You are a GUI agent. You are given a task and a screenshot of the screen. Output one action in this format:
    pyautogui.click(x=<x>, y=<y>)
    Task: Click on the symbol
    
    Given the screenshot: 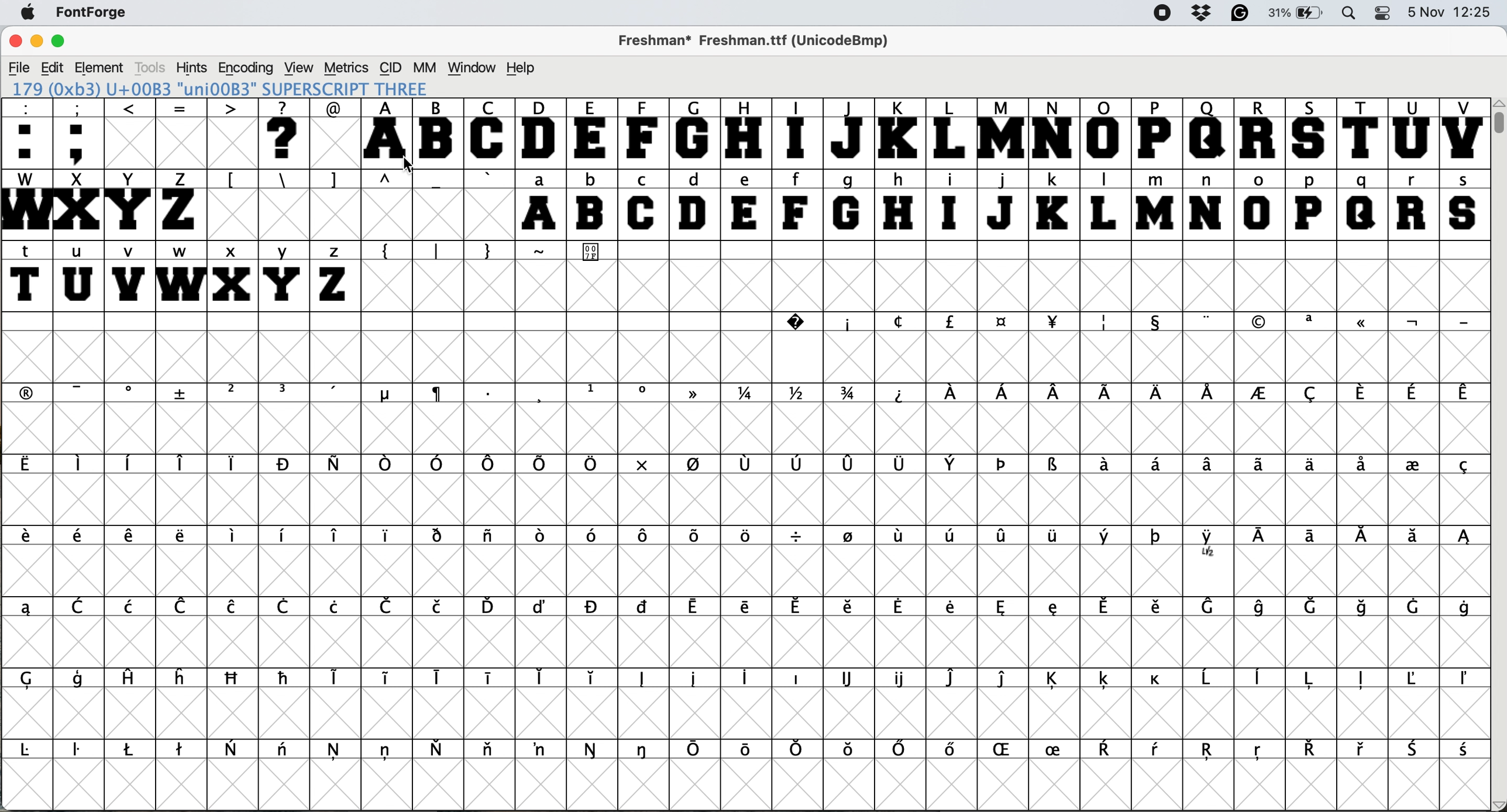 What is the action you would take?
    pyautogui.click(x=954, y=534)
    